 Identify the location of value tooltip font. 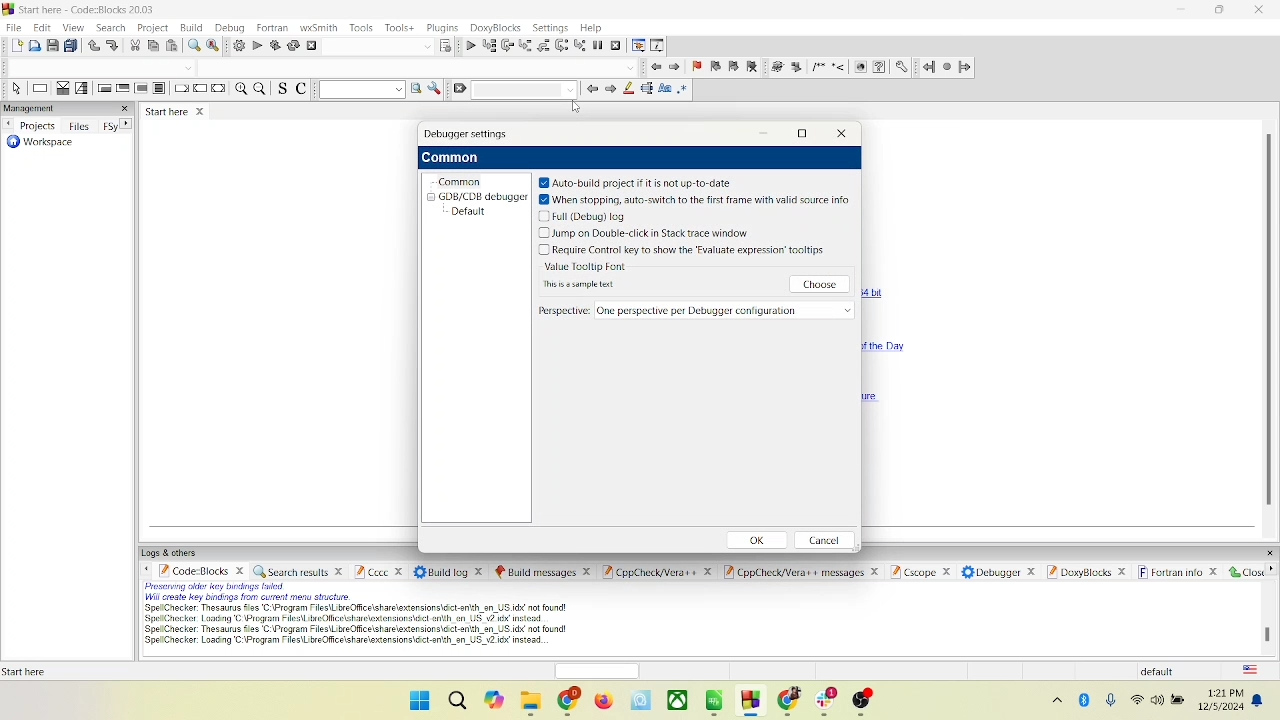
(587, 269).